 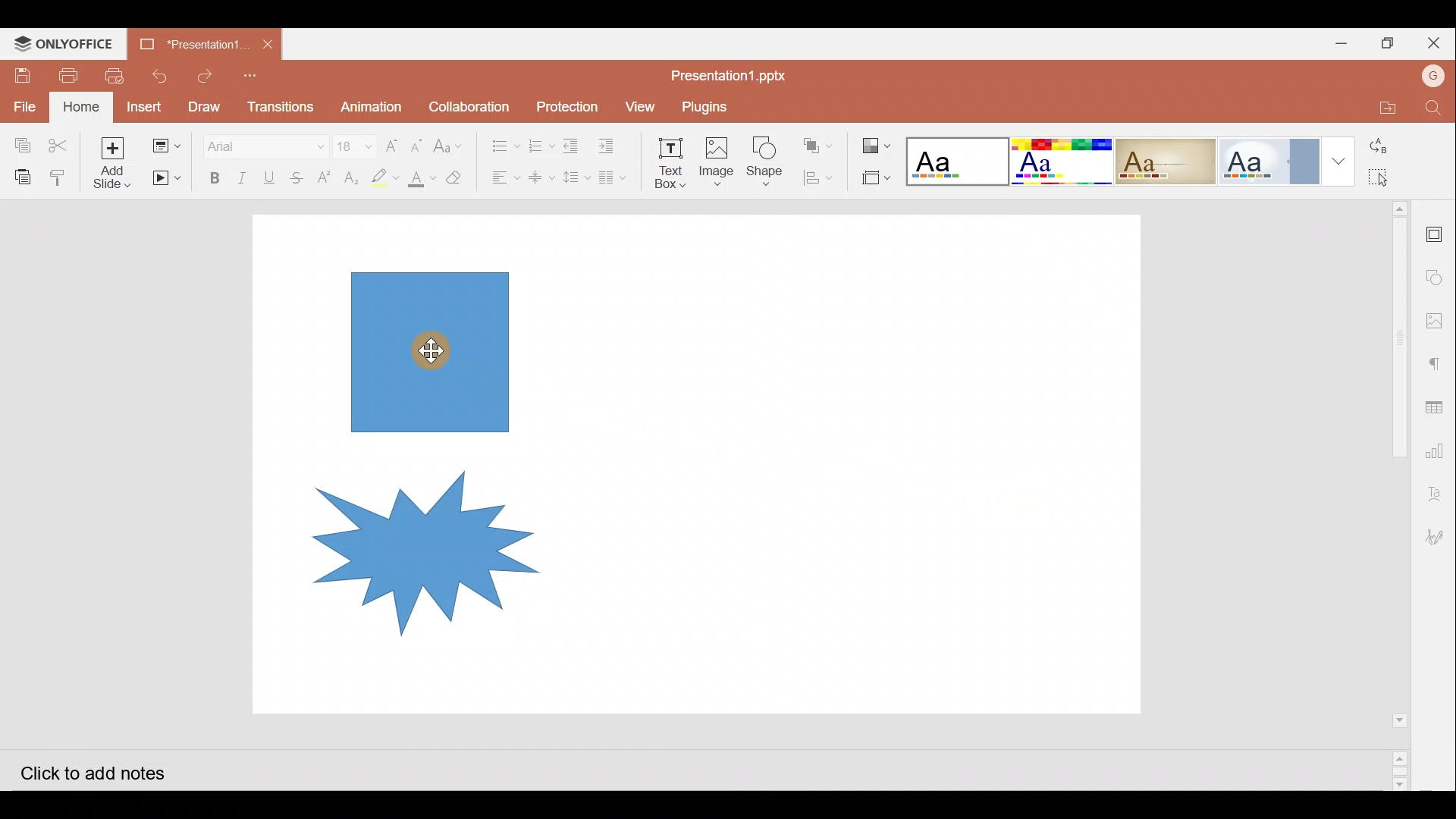 What do you see at coordinates (205, 105) in the screenshot?
I see `Draw` at bounding box center [205, 105].